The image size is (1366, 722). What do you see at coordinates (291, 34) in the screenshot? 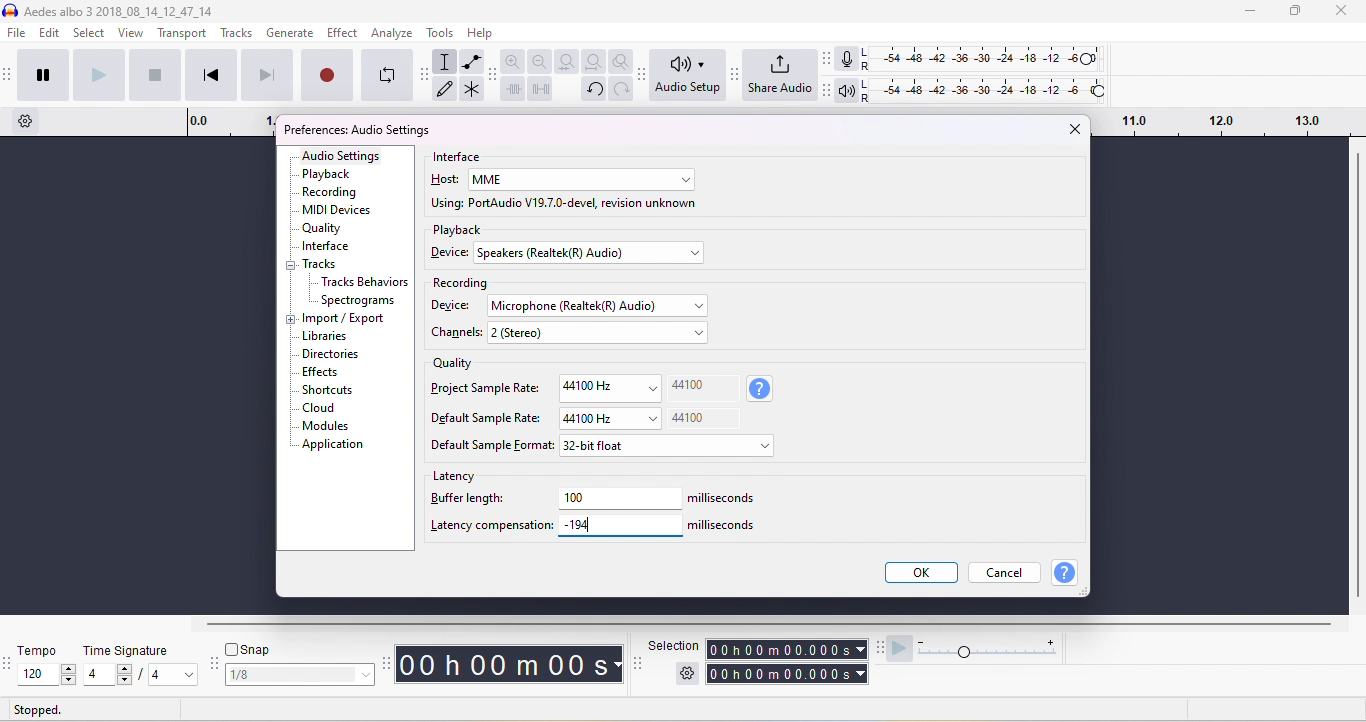
I see `generate` at bounding box center [291, 34].